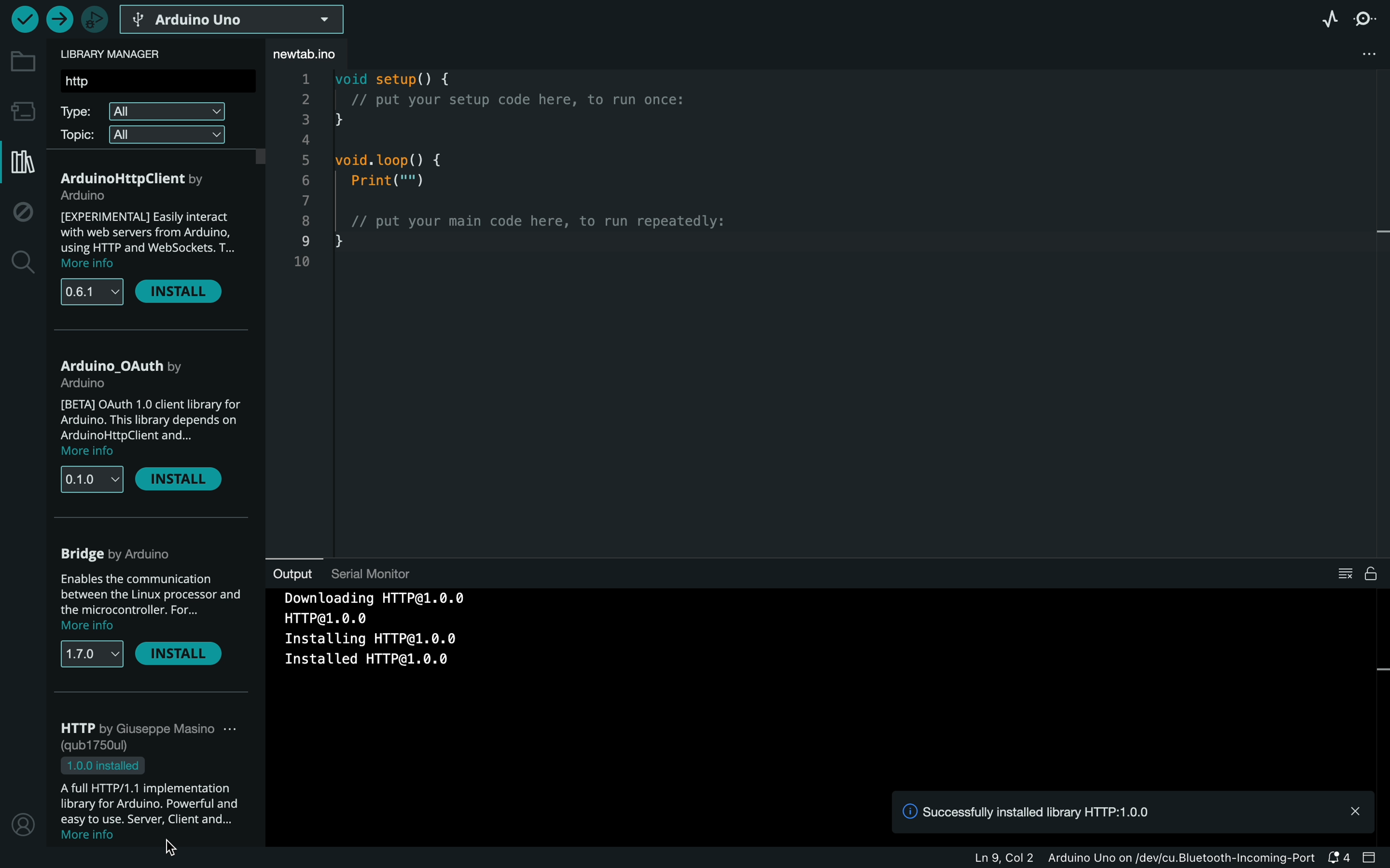 This screenshot has width=1390, height=868. Describe the element at coordinates (147, 734) in the screenshot. I see `arduino low power` at that location.